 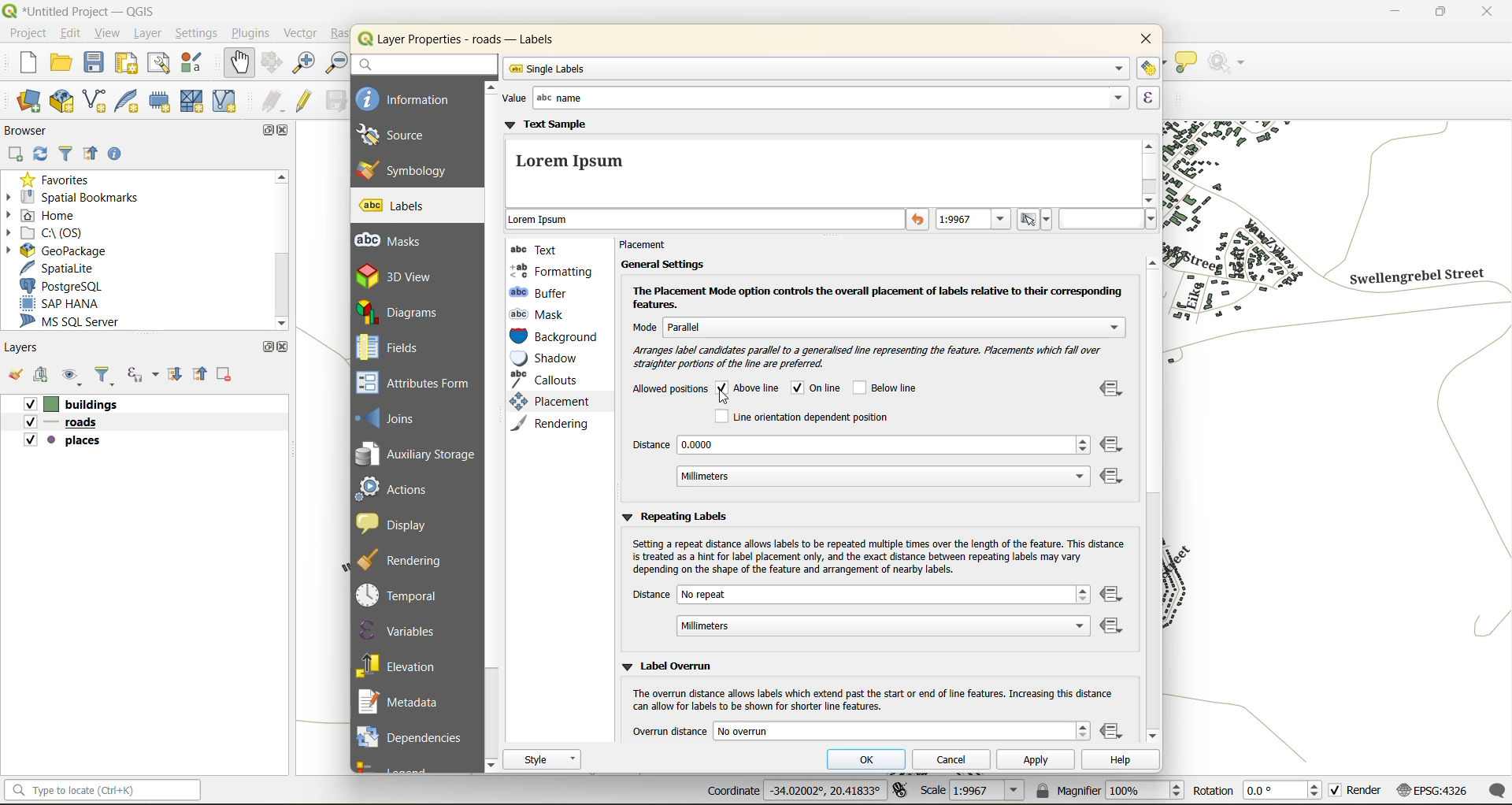 I want to click on placement, so click(x=649, y=246).